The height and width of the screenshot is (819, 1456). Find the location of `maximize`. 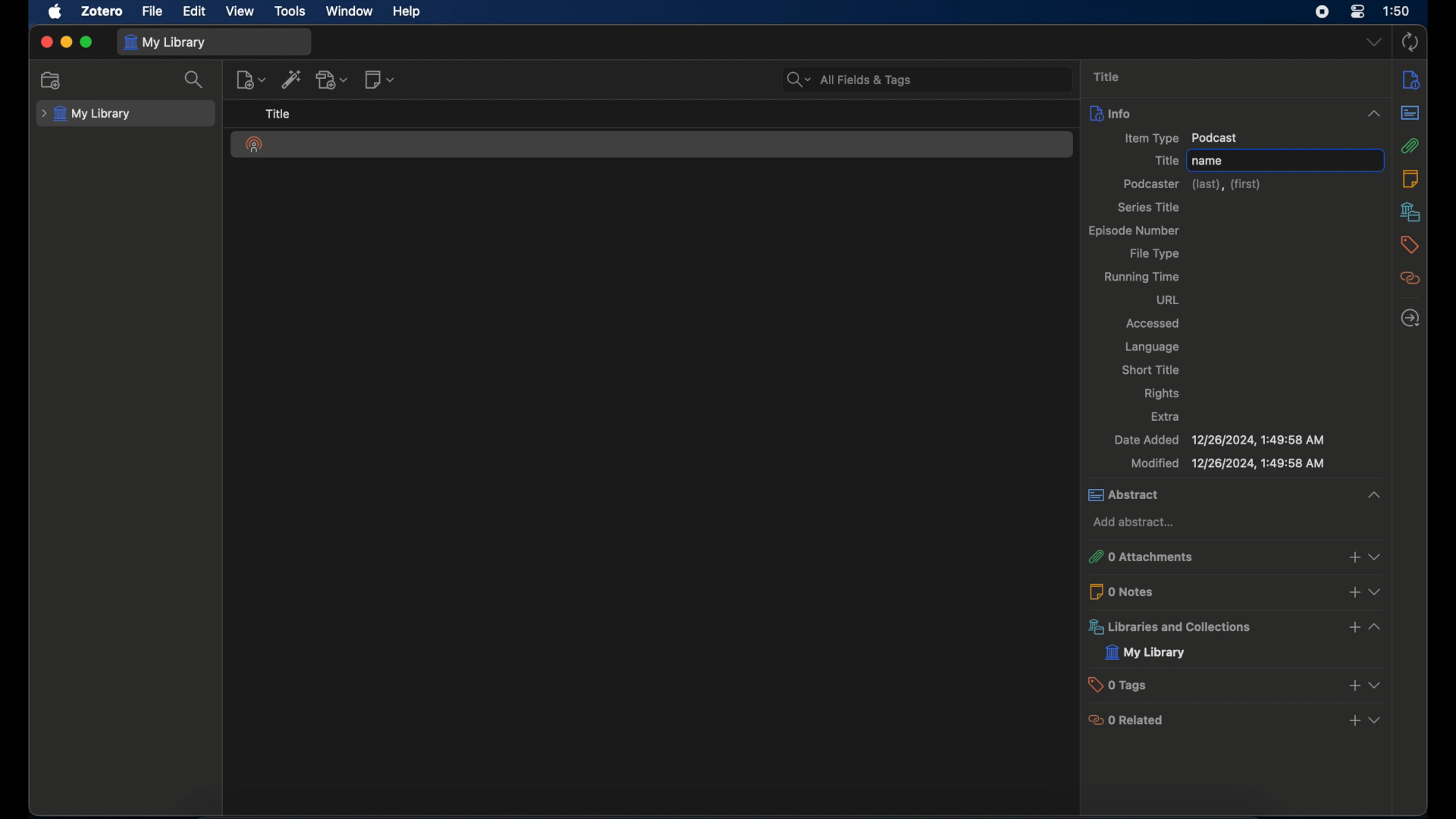

maximize is located at coordinates (86, 42).